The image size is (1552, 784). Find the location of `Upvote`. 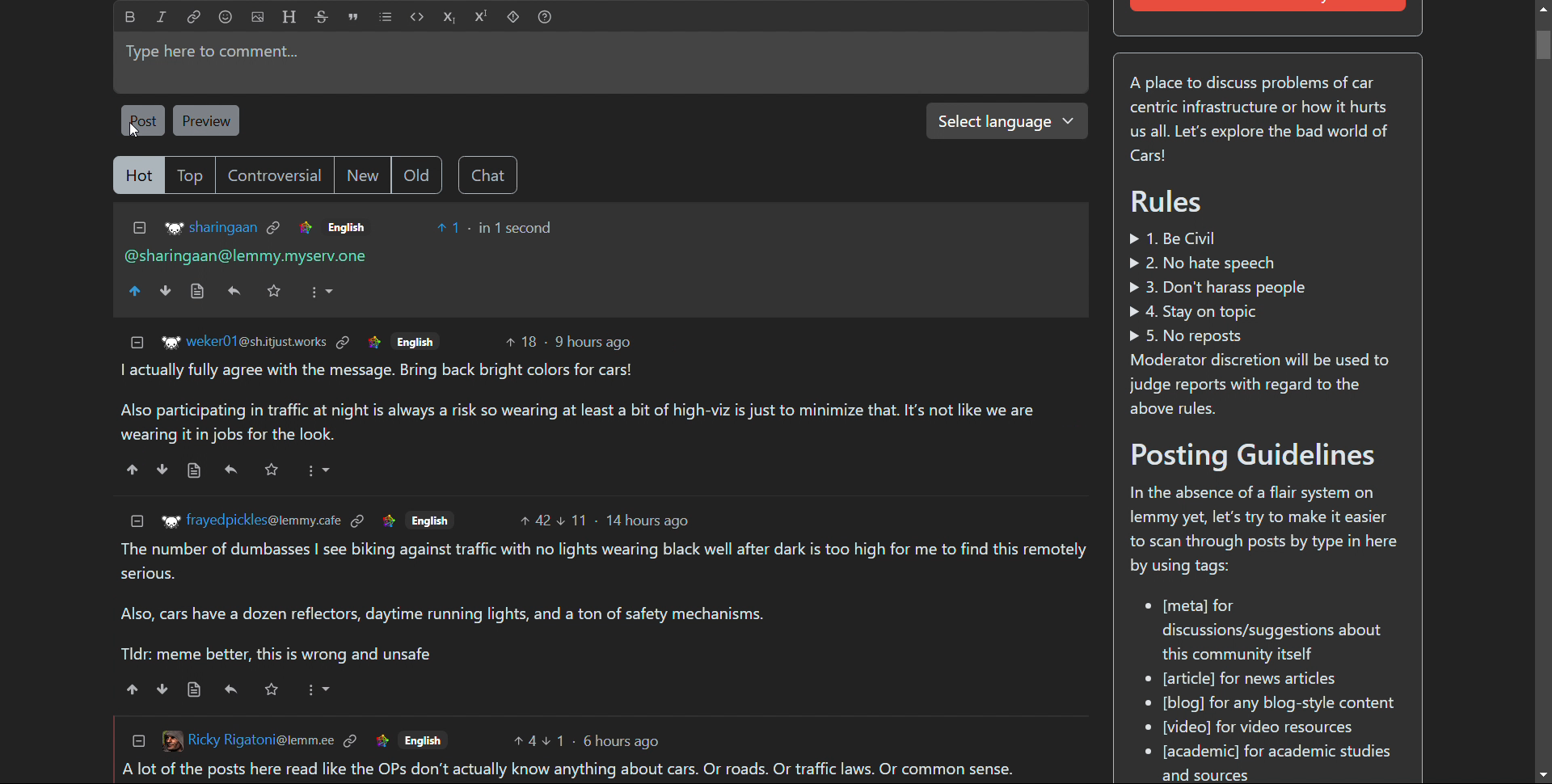

Upvote is located at coordinates (137, 292).